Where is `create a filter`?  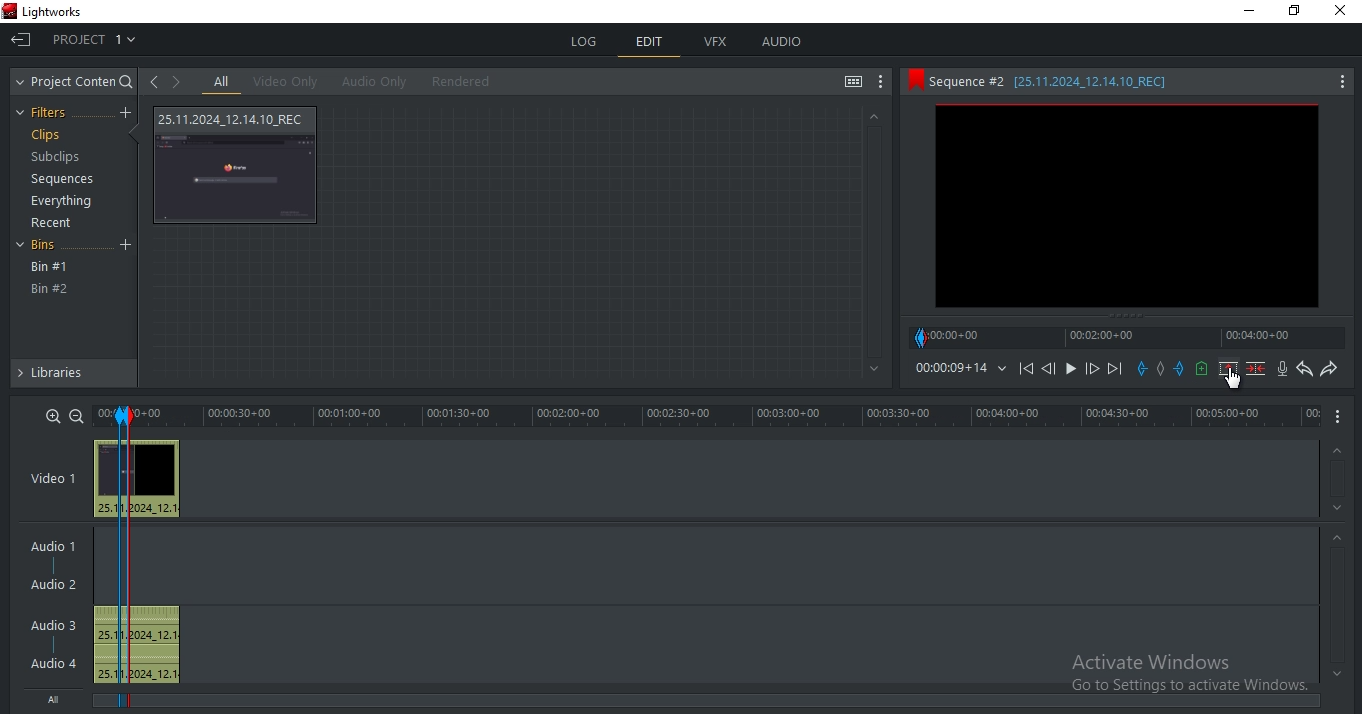 create a filter is located at coordinates (125, 113).